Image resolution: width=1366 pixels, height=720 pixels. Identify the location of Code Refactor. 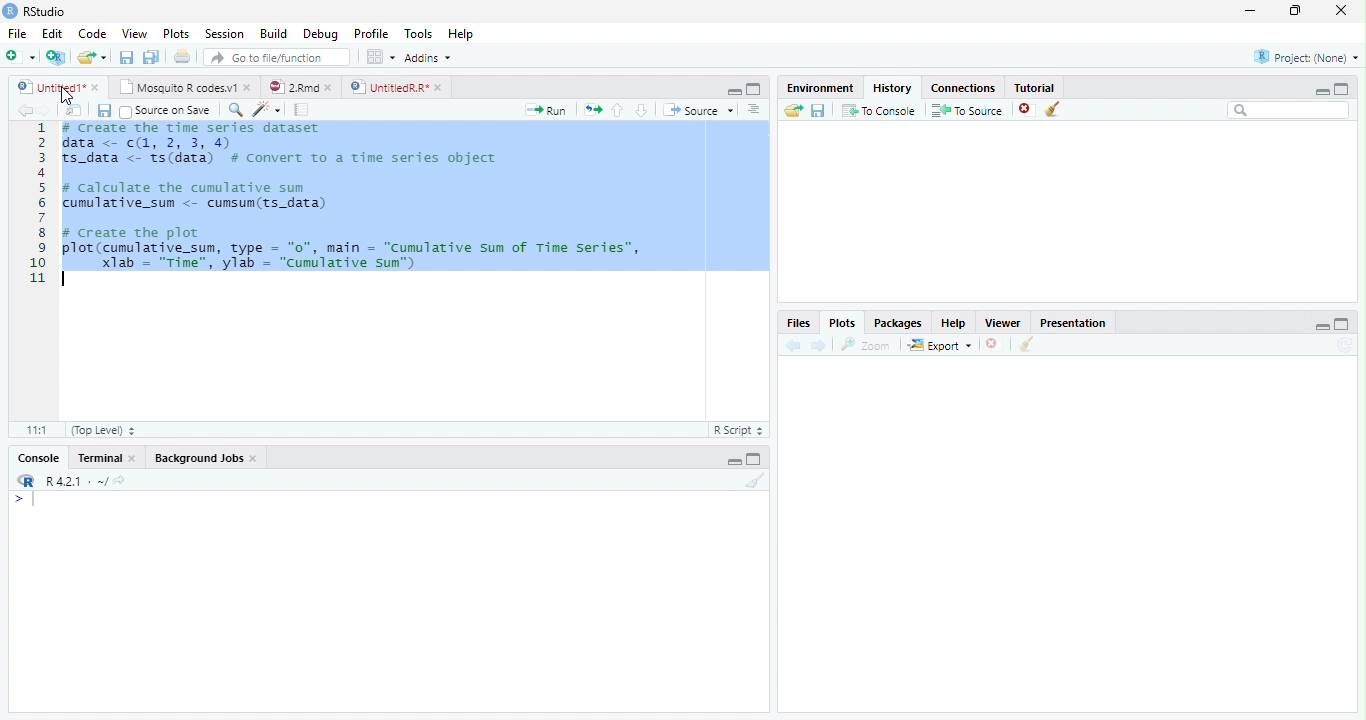
(269, 109).